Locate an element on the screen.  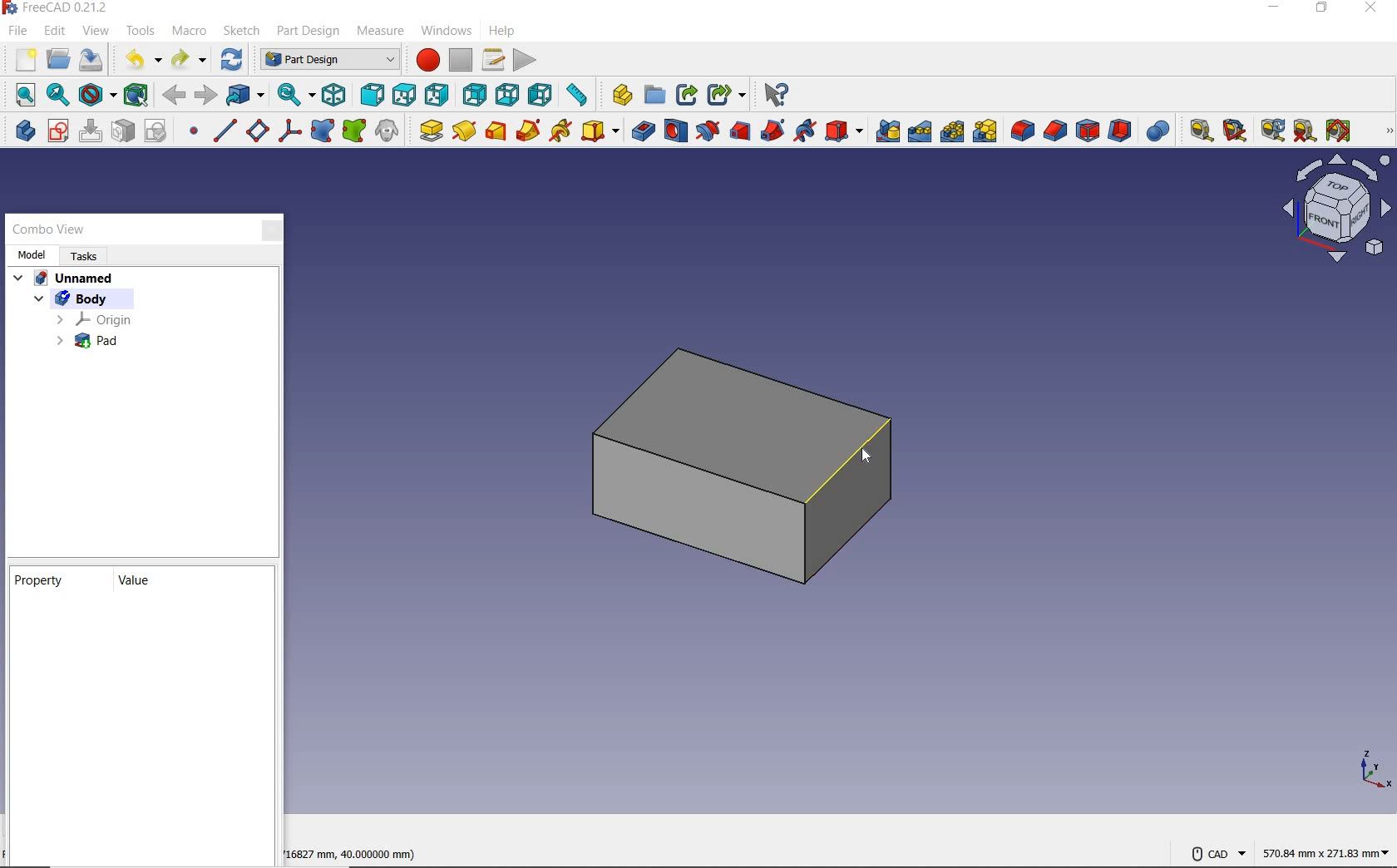
create a subtractive primitive is located at coordinates (846, 131).